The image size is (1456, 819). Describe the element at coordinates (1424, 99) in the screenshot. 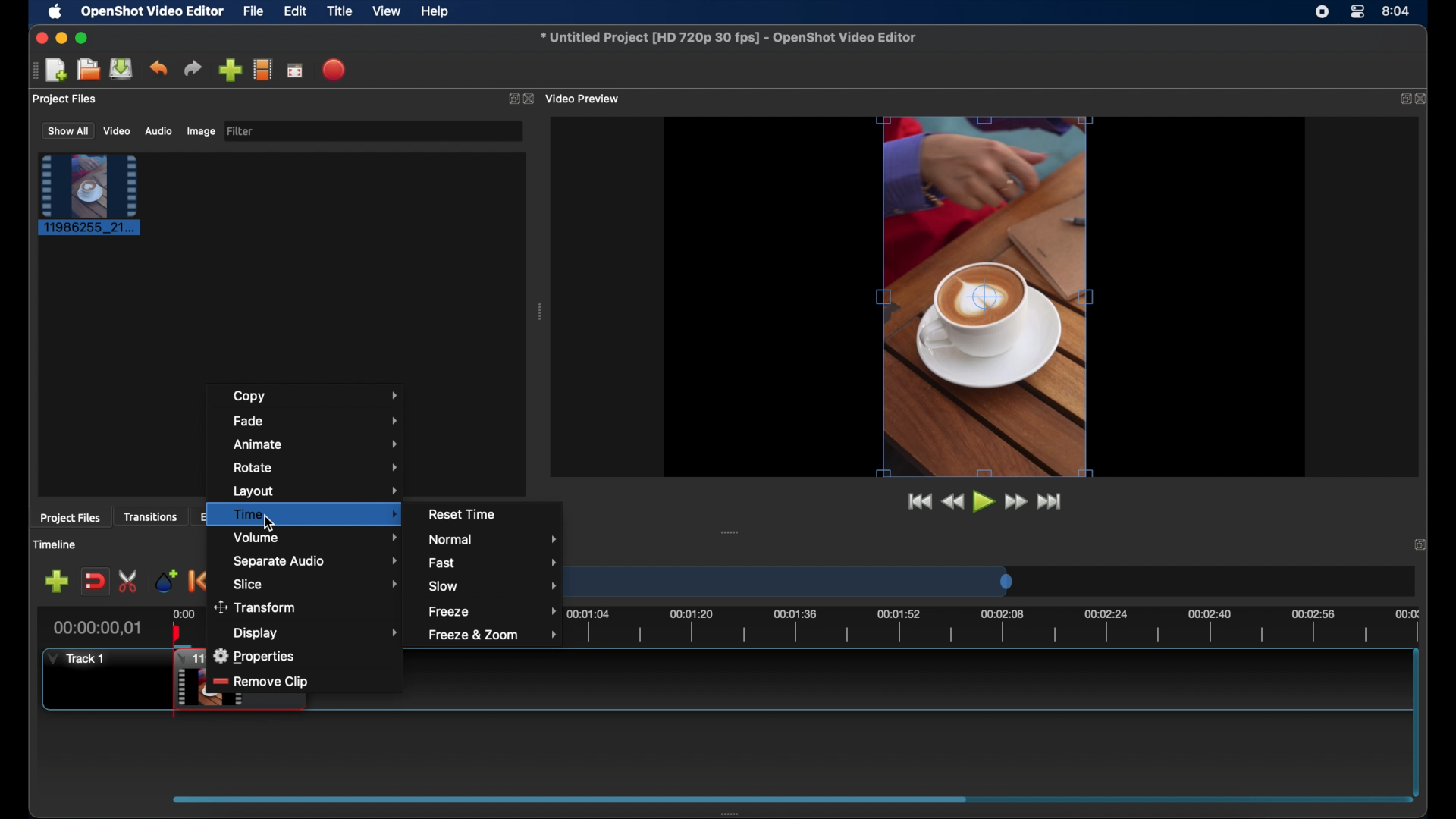

I see `close` at that location.